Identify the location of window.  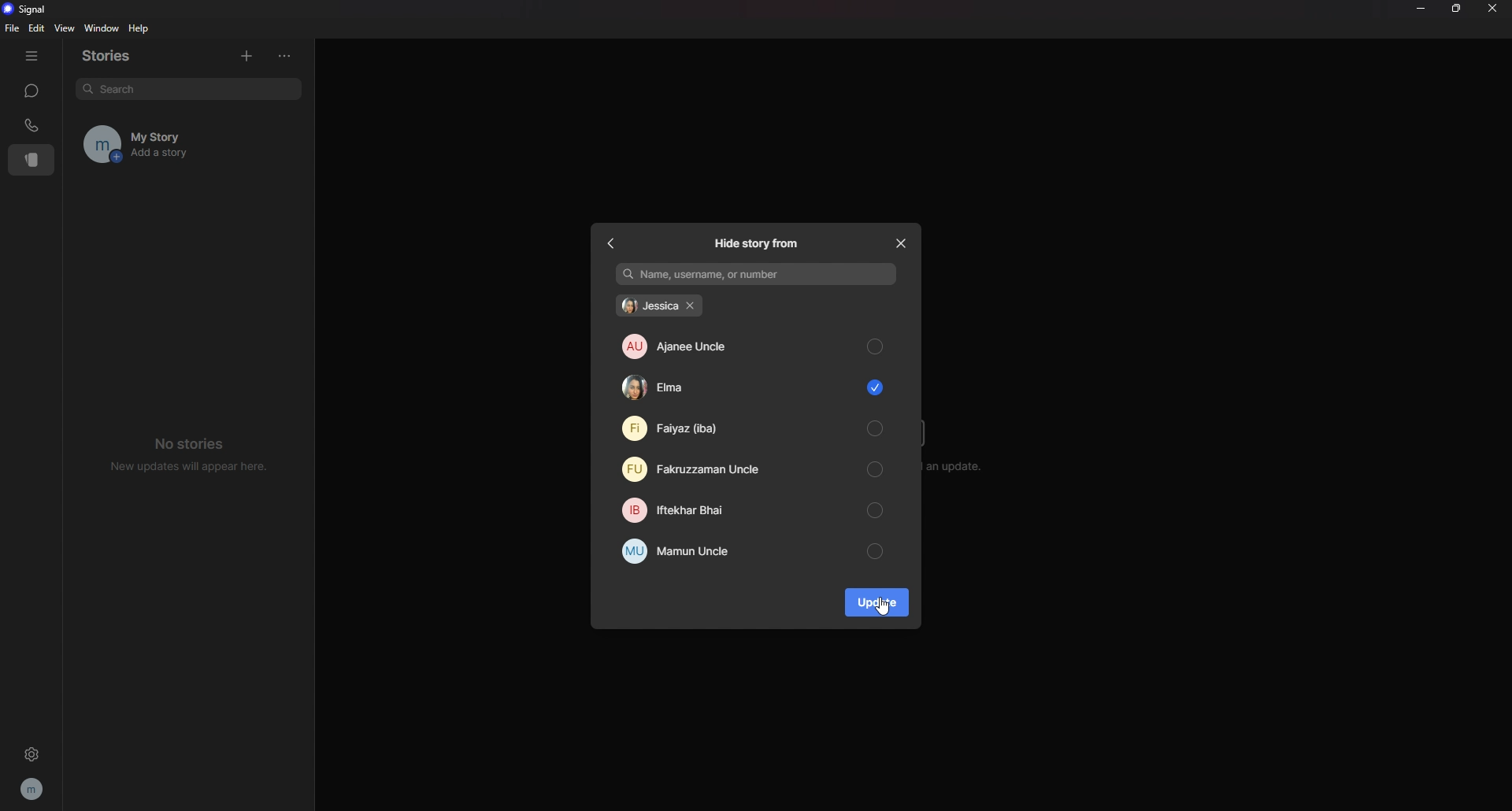
(104, 29).